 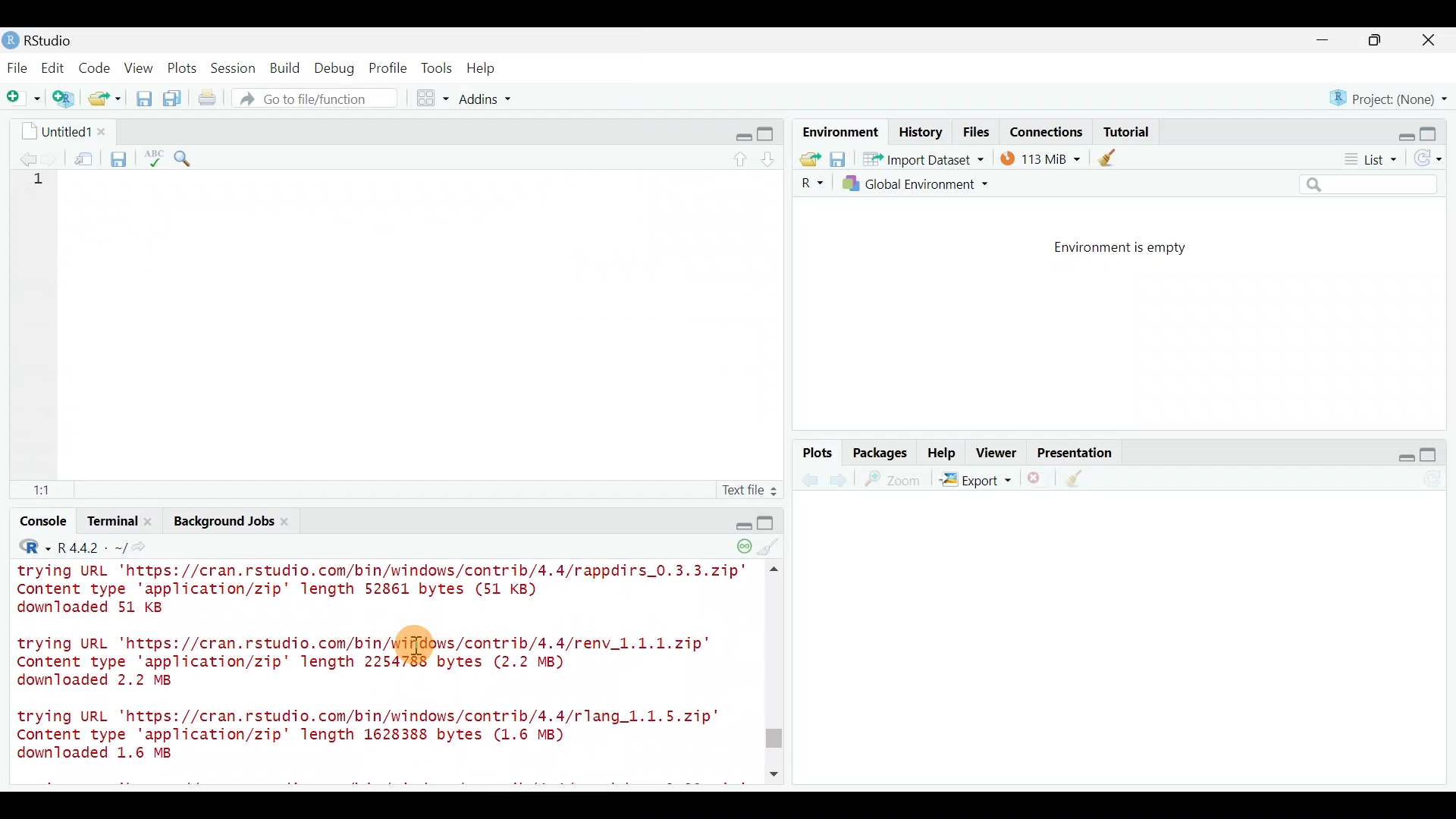 What do you see at coordinates (838, 131) in the screenshot?
I see `Environment` at bounding box center [838, 131].